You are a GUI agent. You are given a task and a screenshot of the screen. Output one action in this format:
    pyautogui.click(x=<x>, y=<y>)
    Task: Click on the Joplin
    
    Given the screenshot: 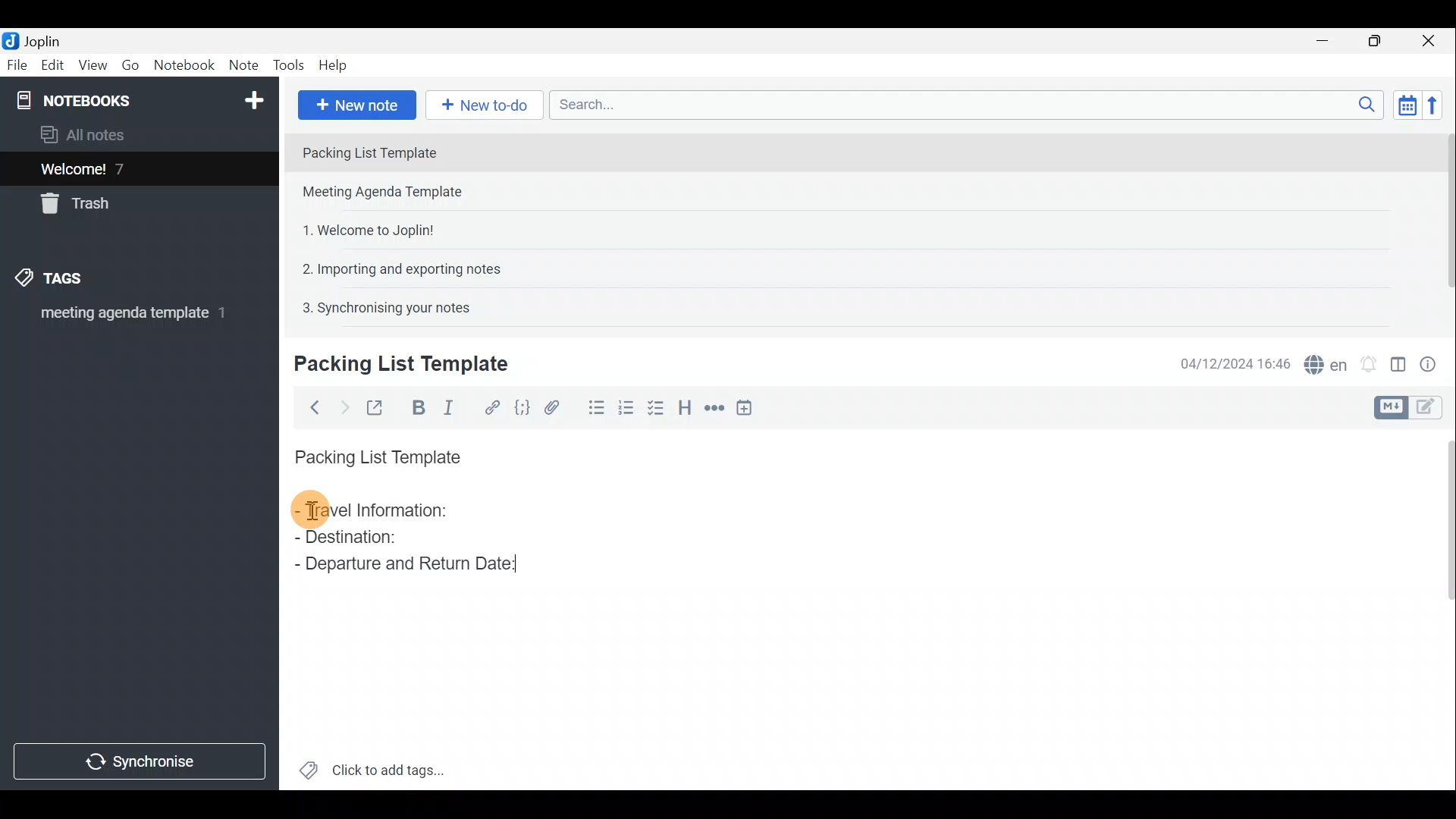 What is the action you would take?
    pyautogui.click(x=36, y=40)
    